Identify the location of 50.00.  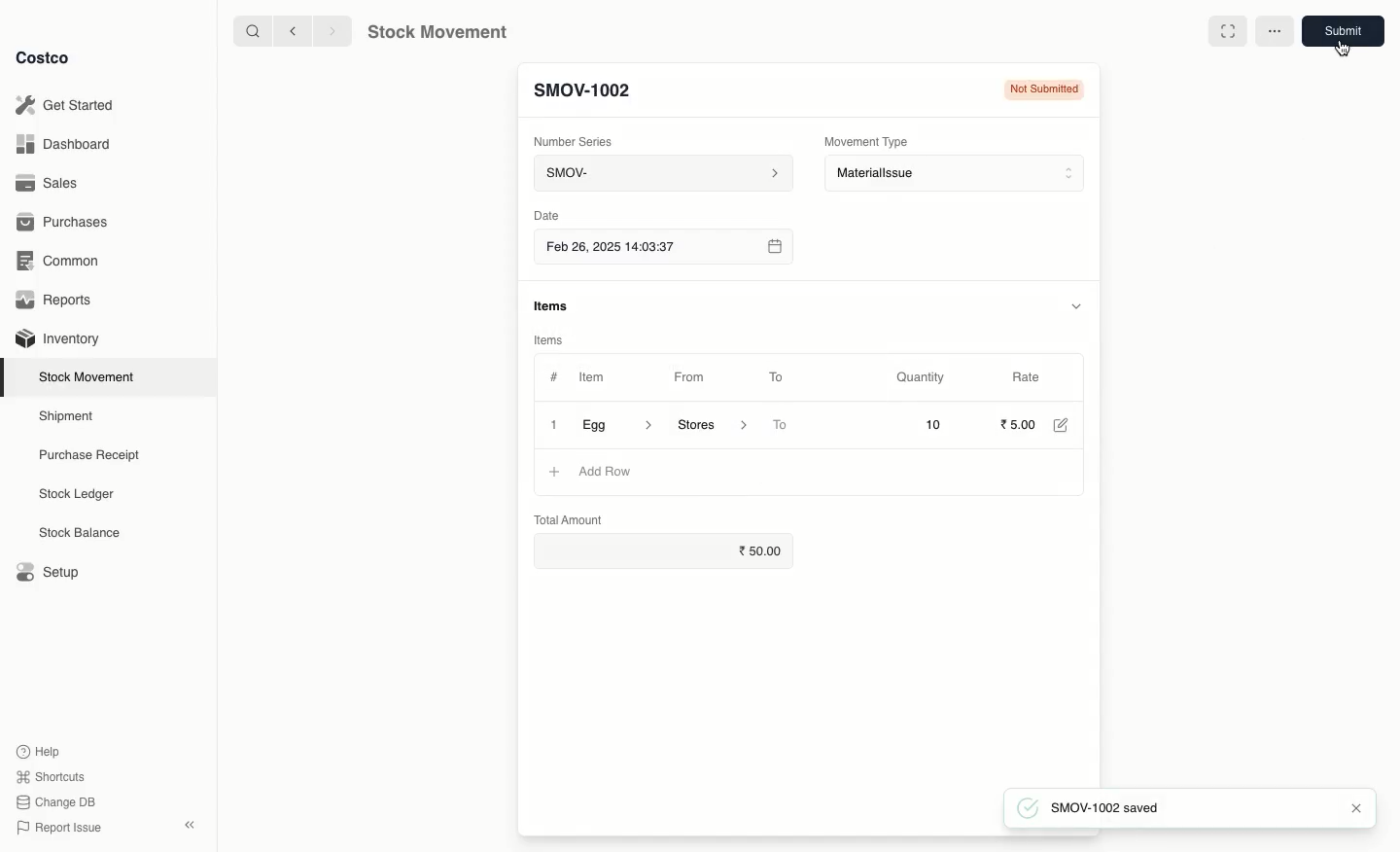
(768, 550).